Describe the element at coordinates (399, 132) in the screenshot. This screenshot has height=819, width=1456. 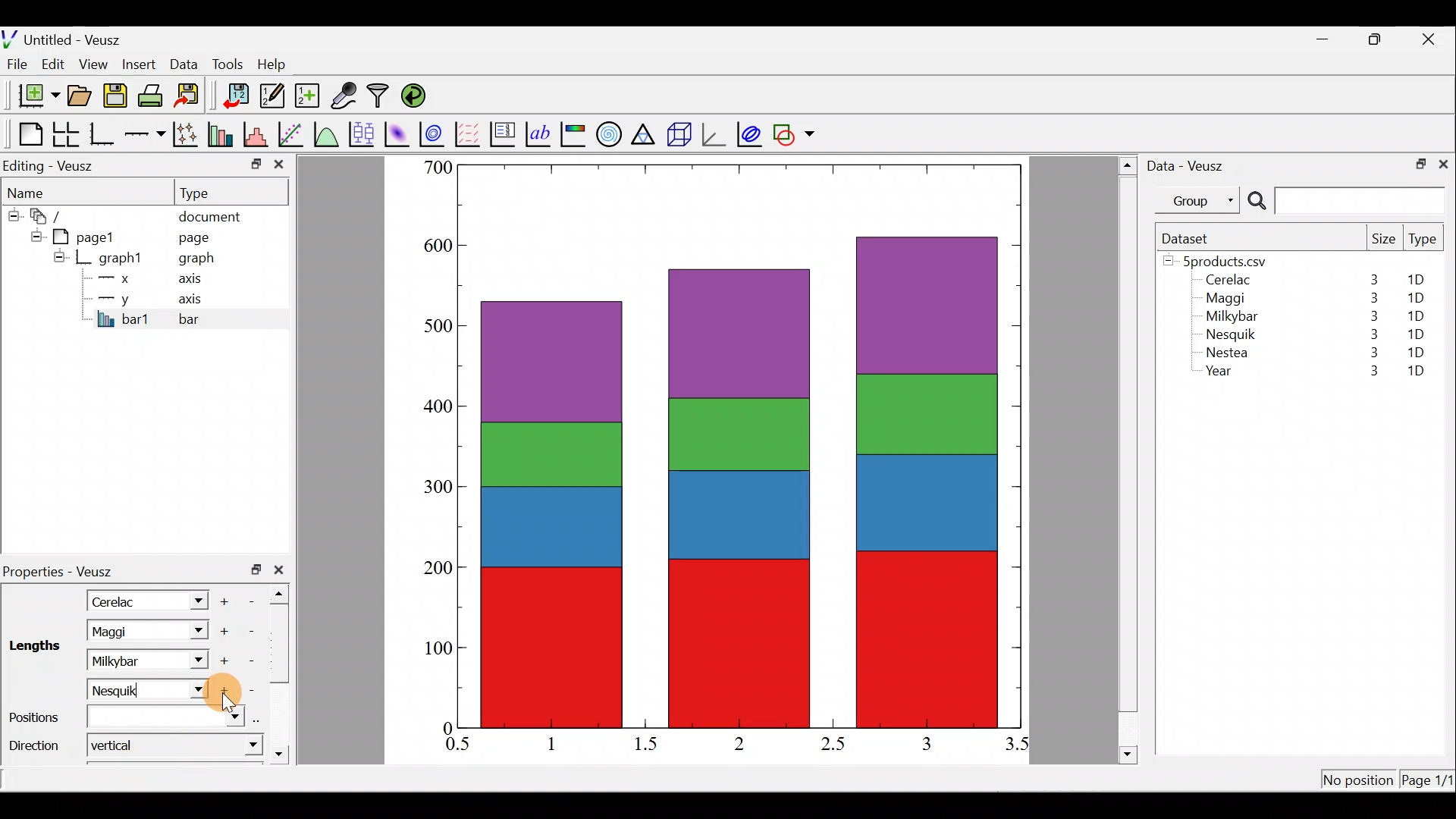
I see `Plot a 2d dataset as an image` at that location.